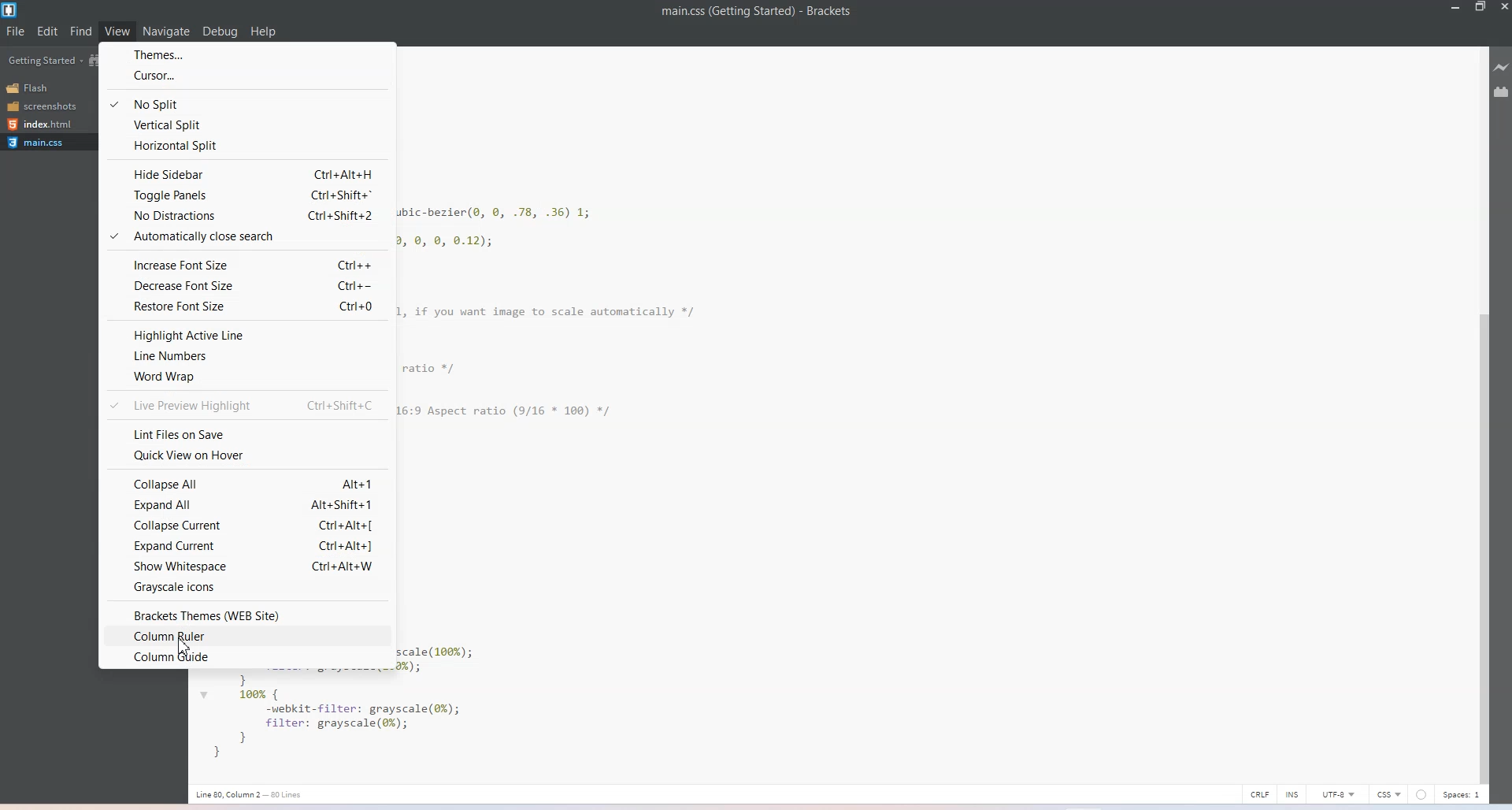 The image size is (1512, 810). What do you see at coordinates (47, 31) in the screenshot?
I see `Edit` at bounding box center [47, 31].